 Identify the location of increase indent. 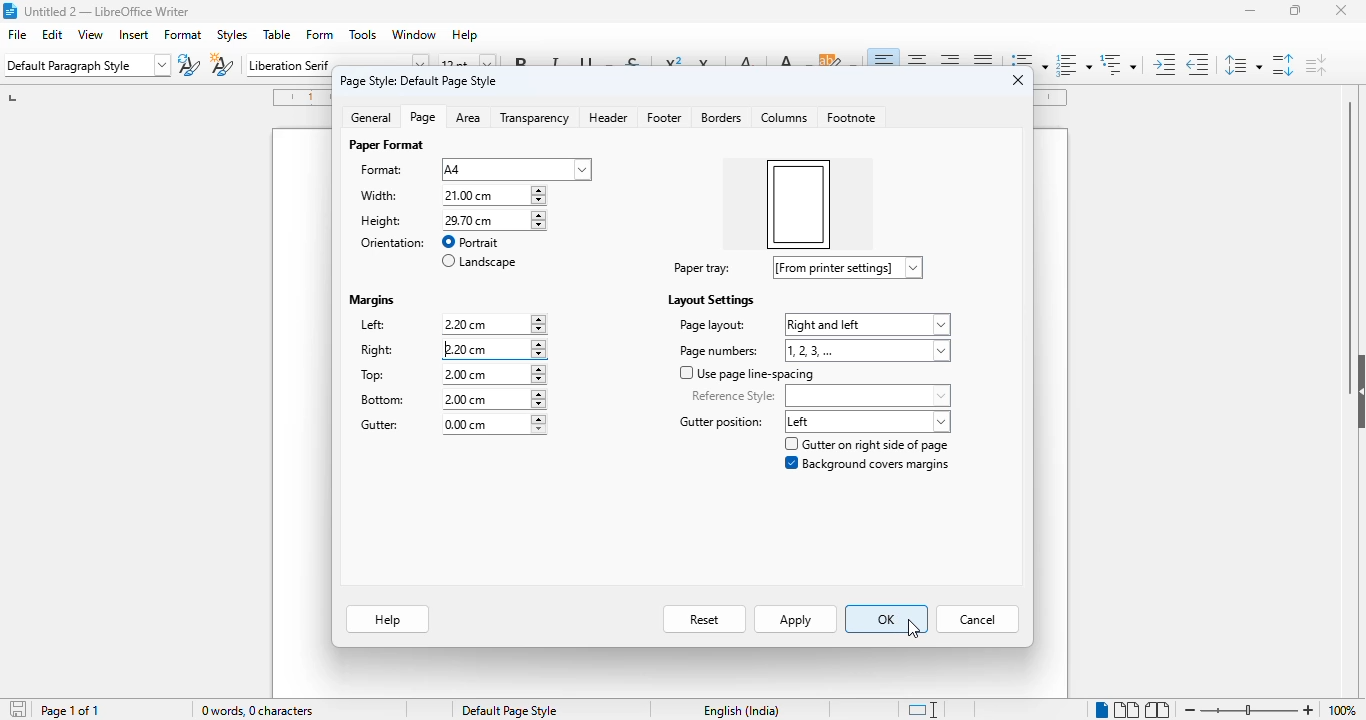
(1165, 65).